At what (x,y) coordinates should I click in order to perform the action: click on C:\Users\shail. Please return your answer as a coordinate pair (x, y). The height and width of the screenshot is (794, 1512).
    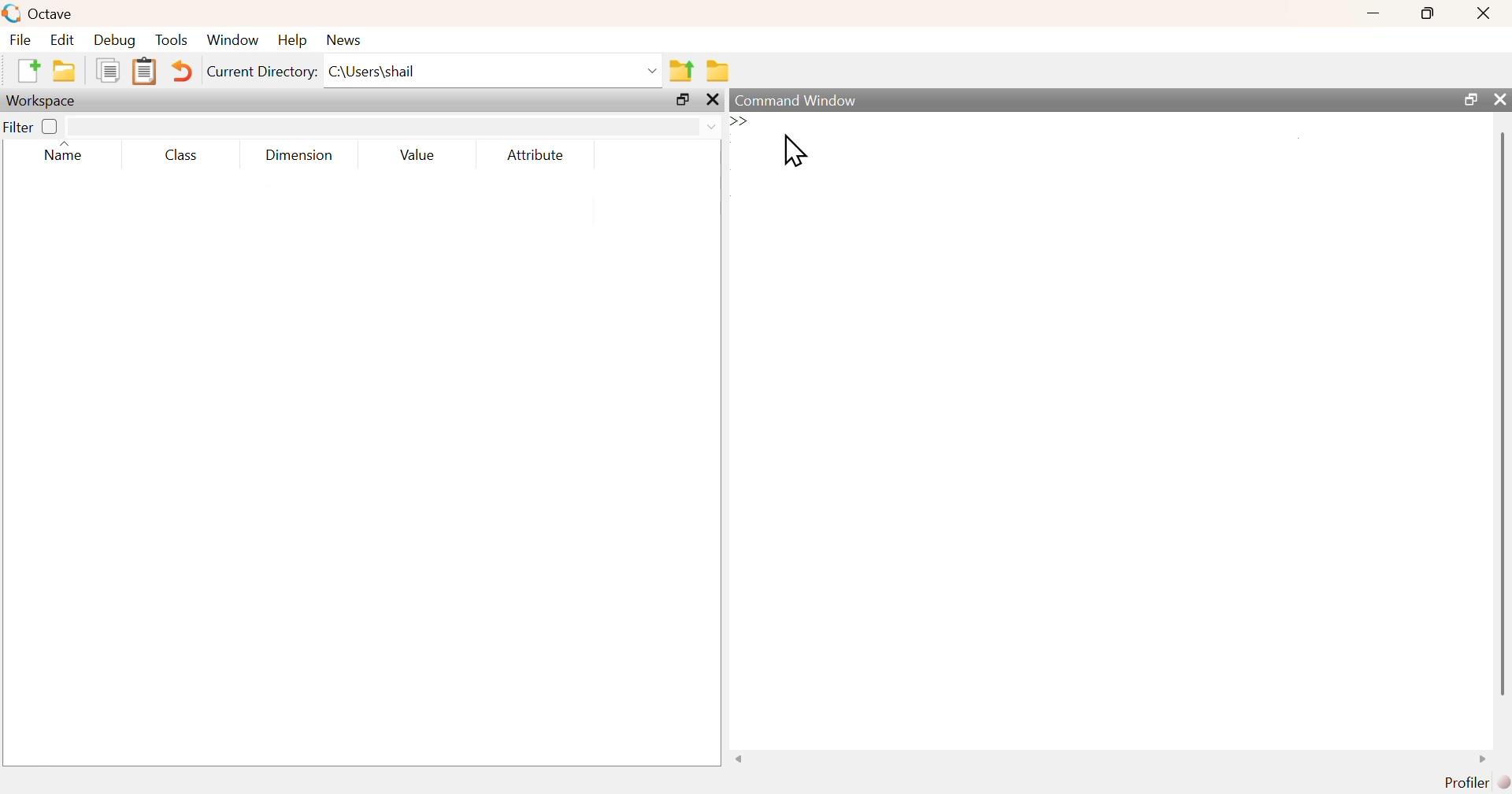
    Looking at the image, I should click on (372, 71).